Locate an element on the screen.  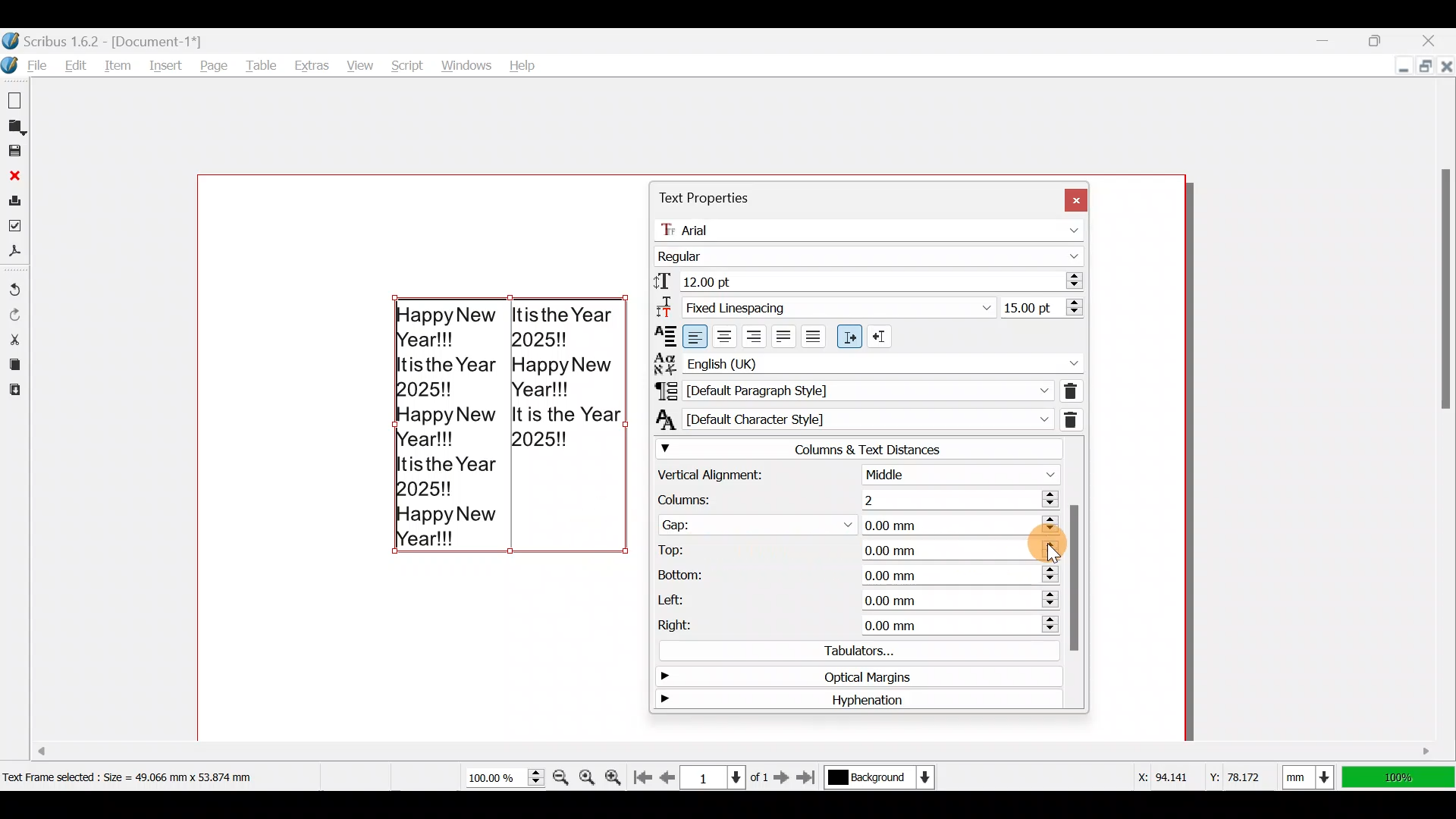
Select line spacing mode is located at coordinates (824, 306).